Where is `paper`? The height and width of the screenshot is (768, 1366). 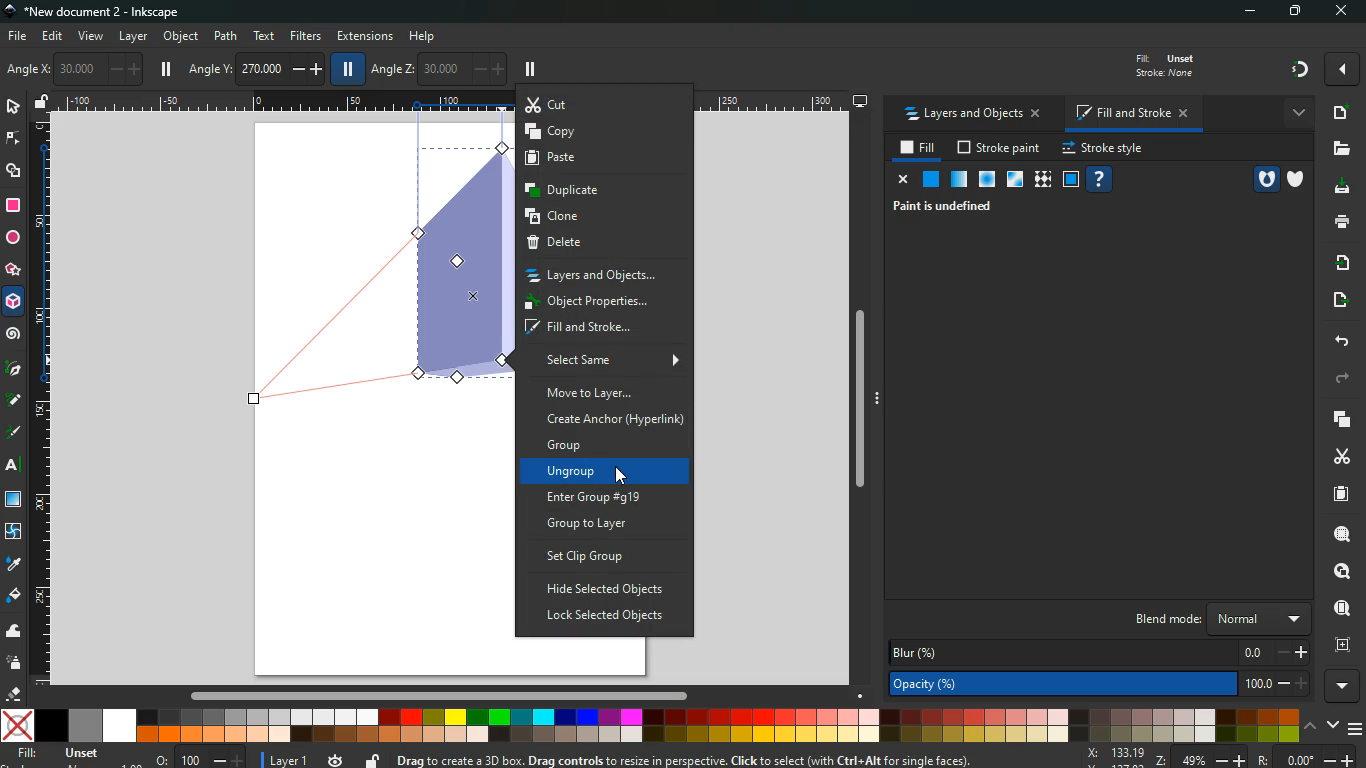 paper is located at coordinates (1339, 494).